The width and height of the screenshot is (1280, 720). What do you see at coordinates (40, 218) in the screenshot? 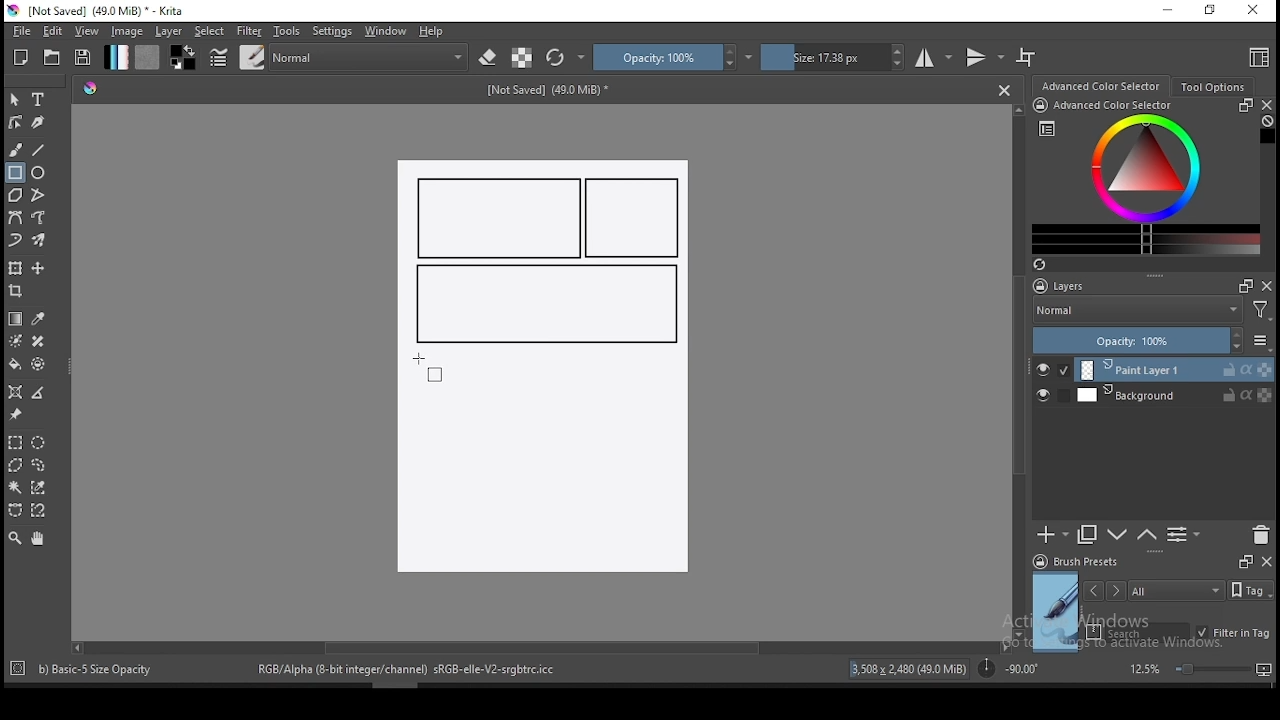
I see `freehand path tool` at bounding box center [40, 218].